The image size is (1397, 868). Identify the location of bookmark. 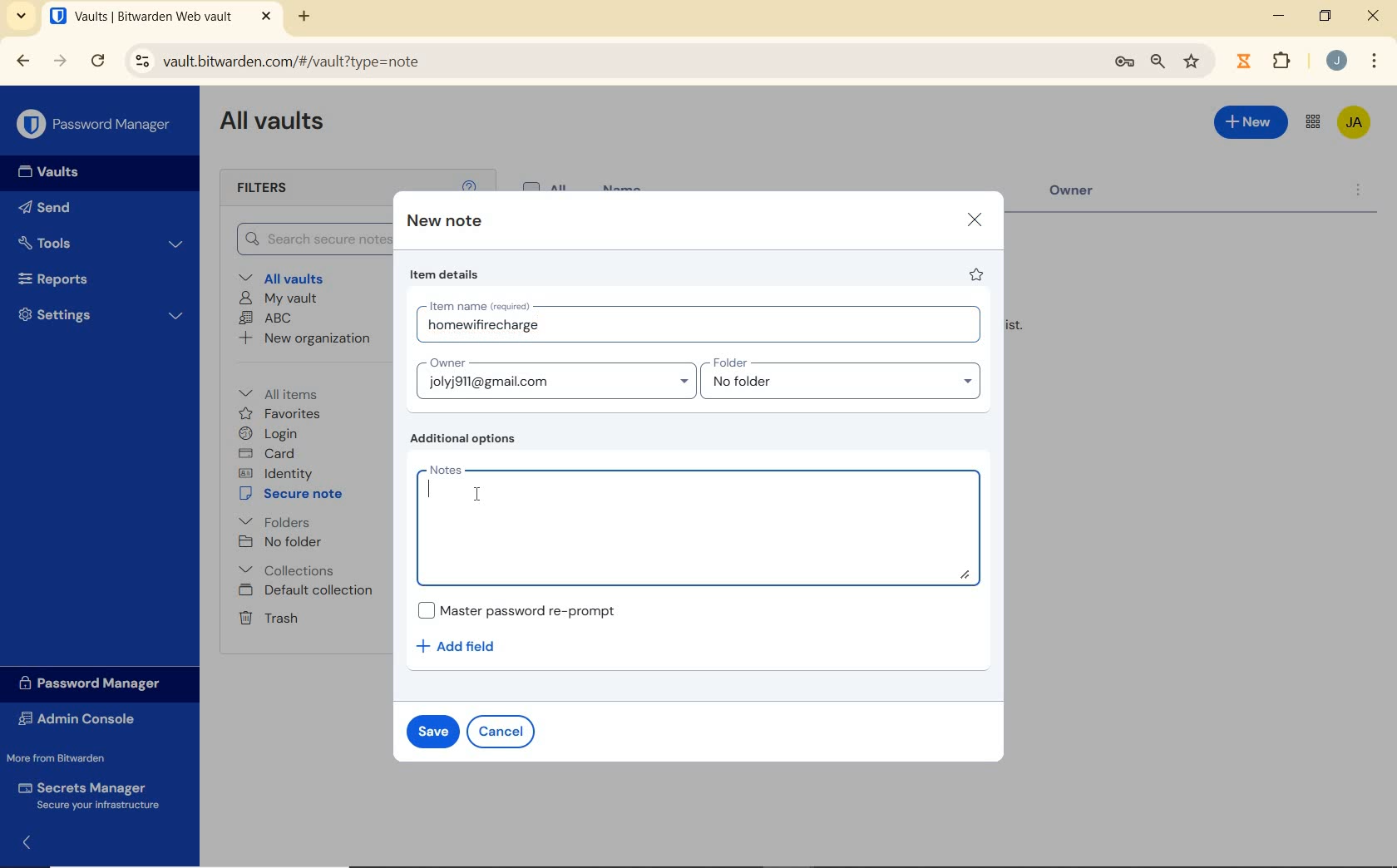
(1193, 62).